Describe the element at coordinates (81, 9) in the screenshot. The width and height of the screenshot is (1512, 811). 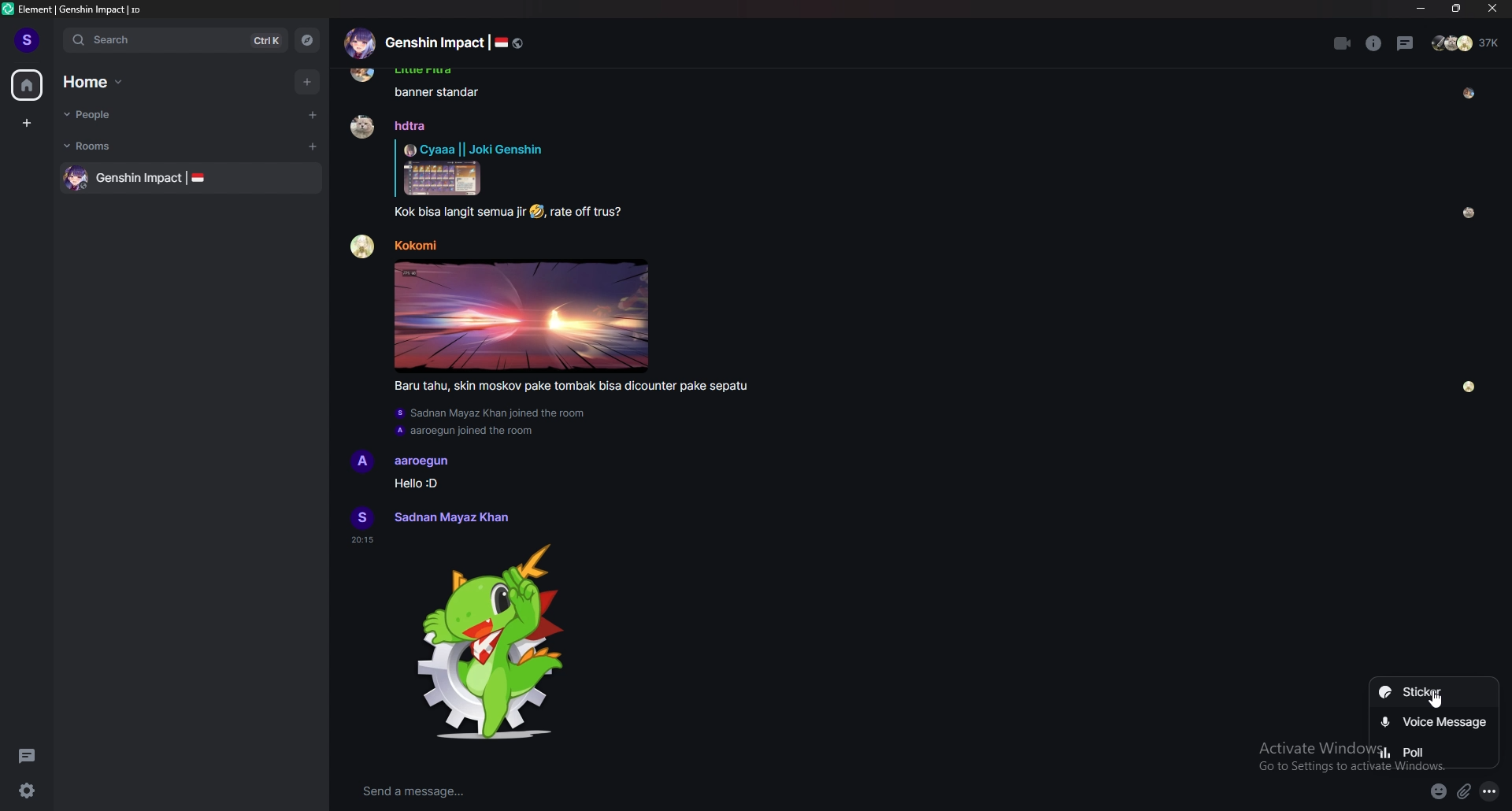
I see `Element | Genshin Impact | ID` at that location.